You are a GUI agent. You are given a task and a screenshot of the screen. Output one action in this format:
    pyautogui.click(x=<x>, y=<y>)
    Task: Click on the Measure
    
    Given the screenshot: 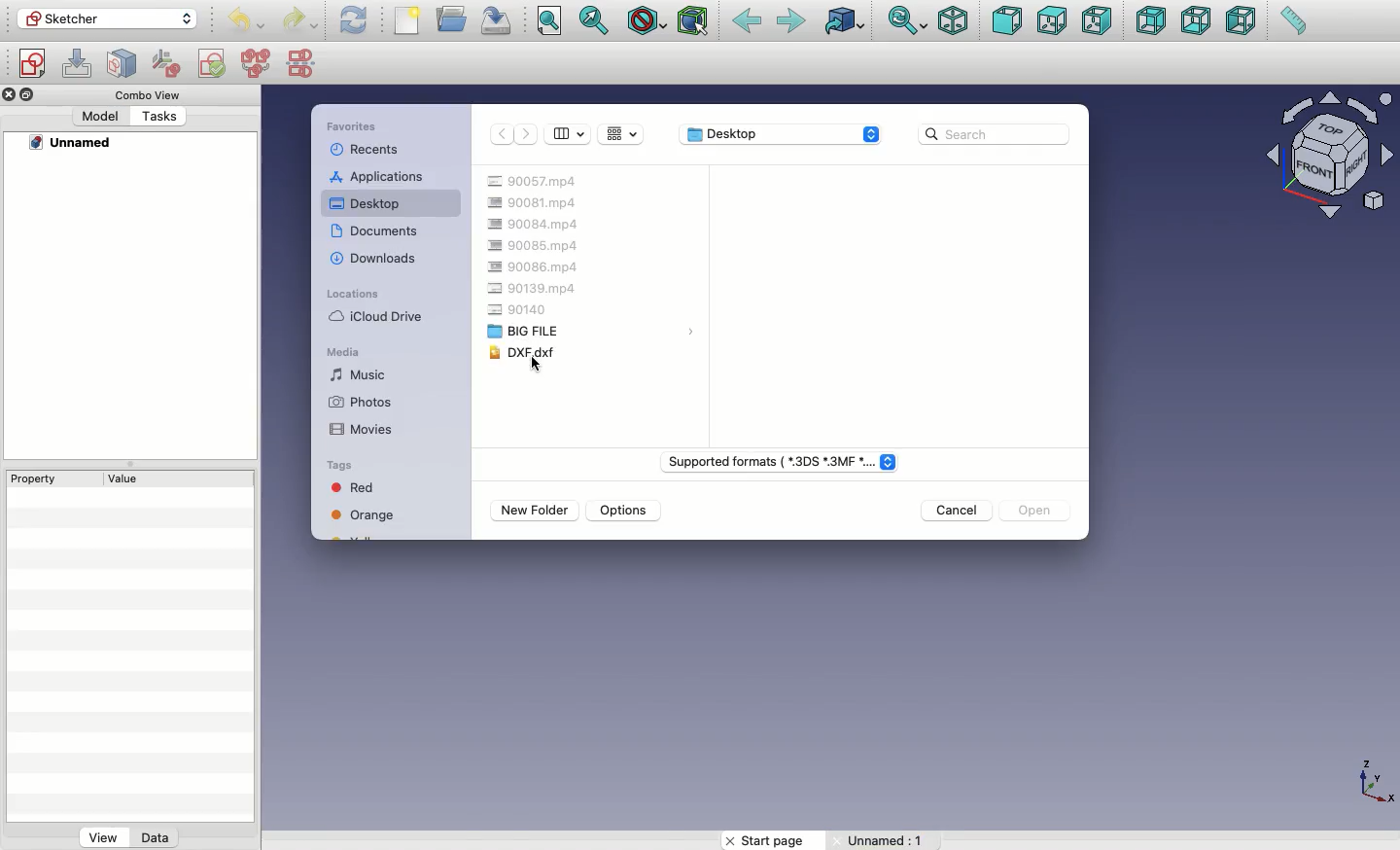 What is the action you would take?
    pyautogui.click(x=1293, y=20)
    